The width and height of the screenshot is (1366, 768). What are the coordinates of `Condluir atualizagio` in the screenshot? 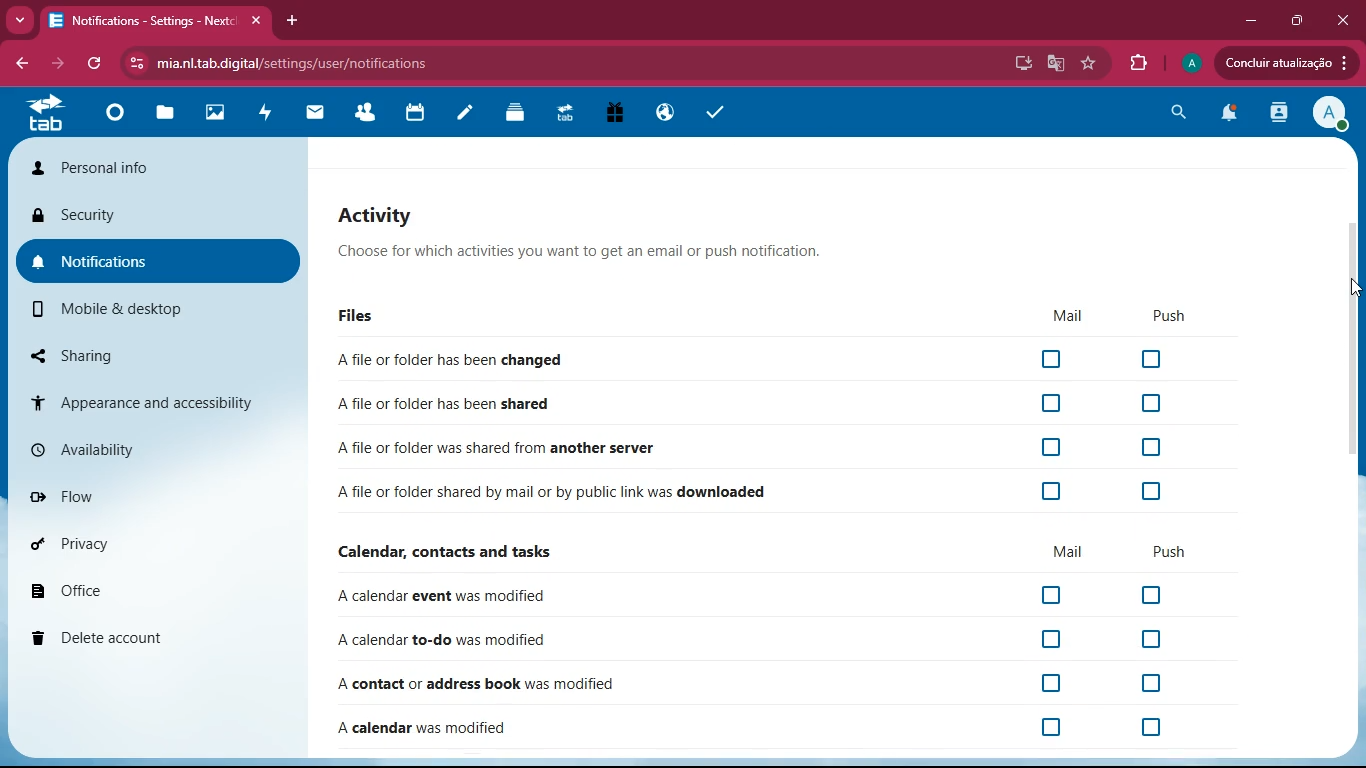 It's located at (1293, 65).